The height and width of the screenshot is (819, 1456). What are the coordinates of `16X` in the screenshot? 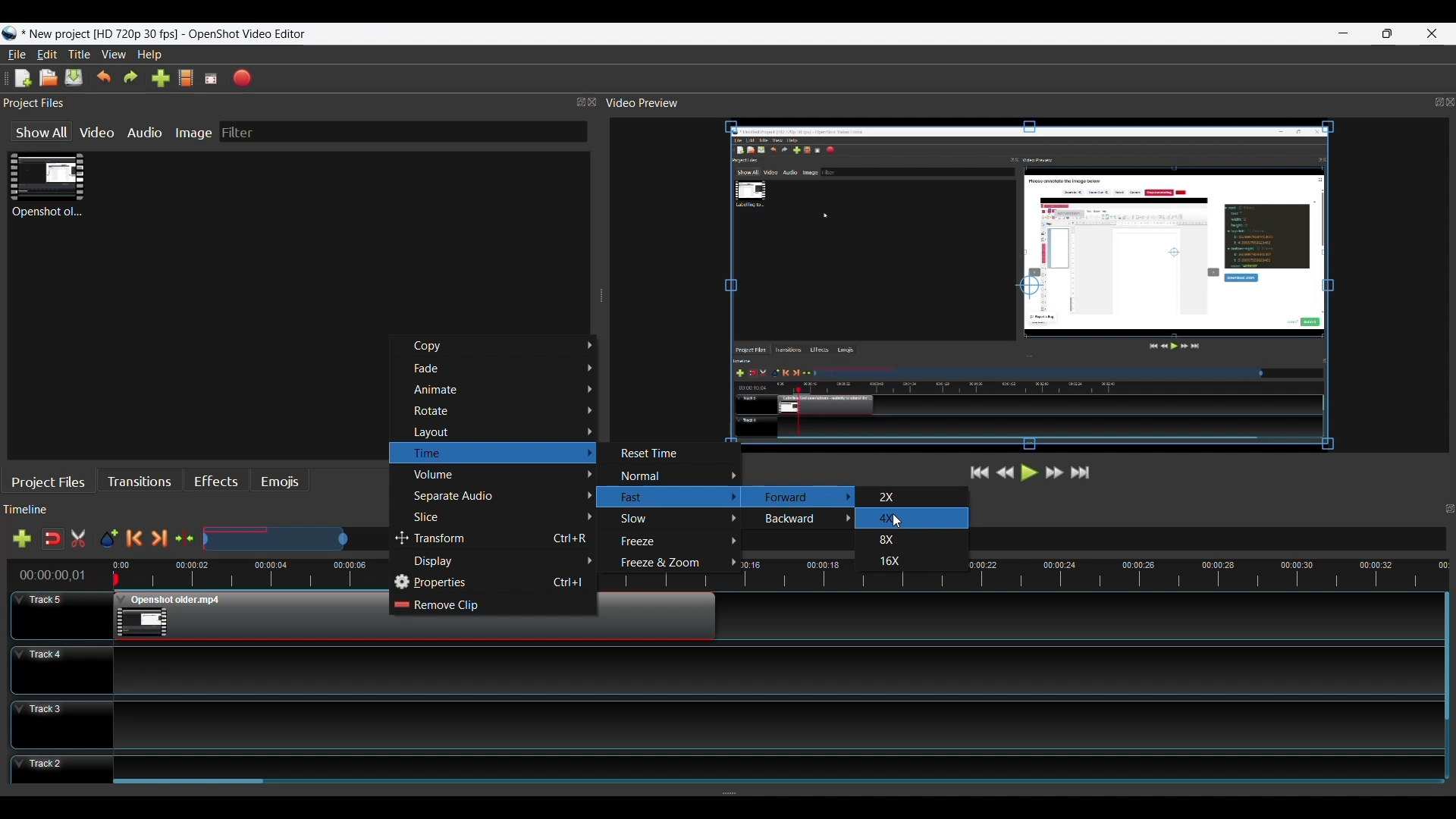 It's located at (890, 560).